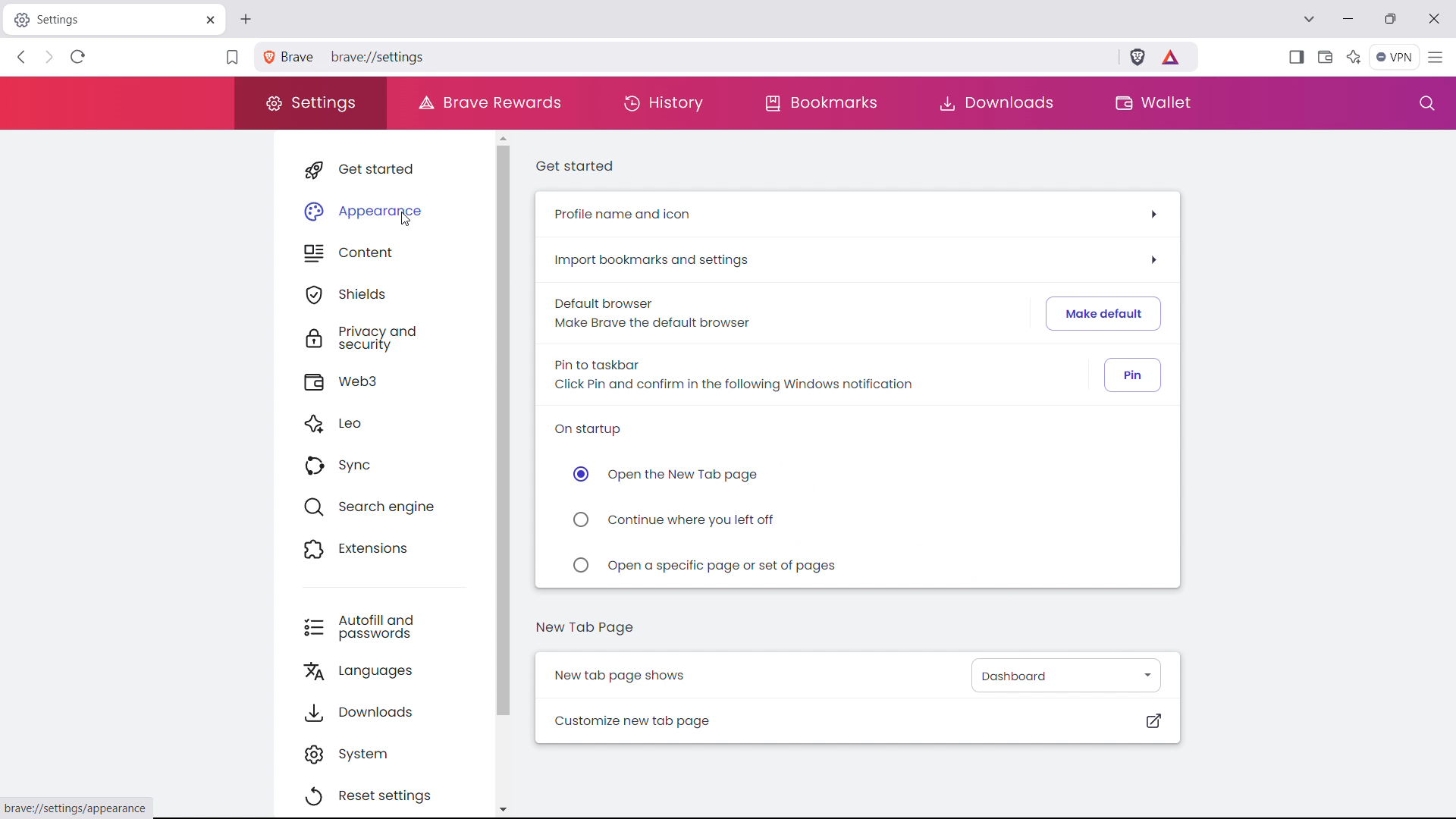 The width and height of the screenshot is (1456, 819). Describe the element at coordinates (824, 104) in the screenshot. I see `bookmarks` at that location.